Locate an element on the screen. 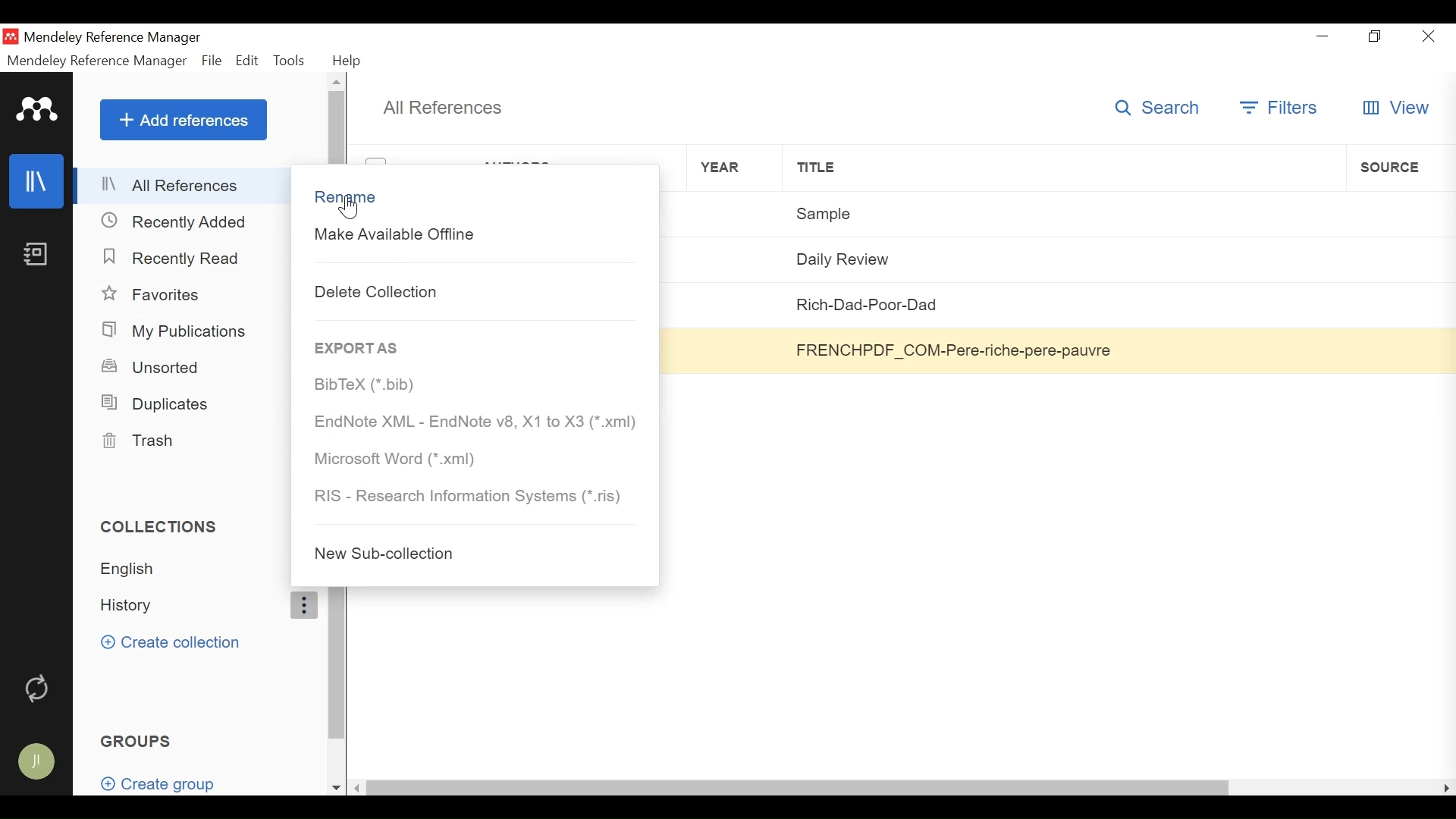 This screenshot has height=819, width=1456. Notebook is located at coordinates (36, 256).